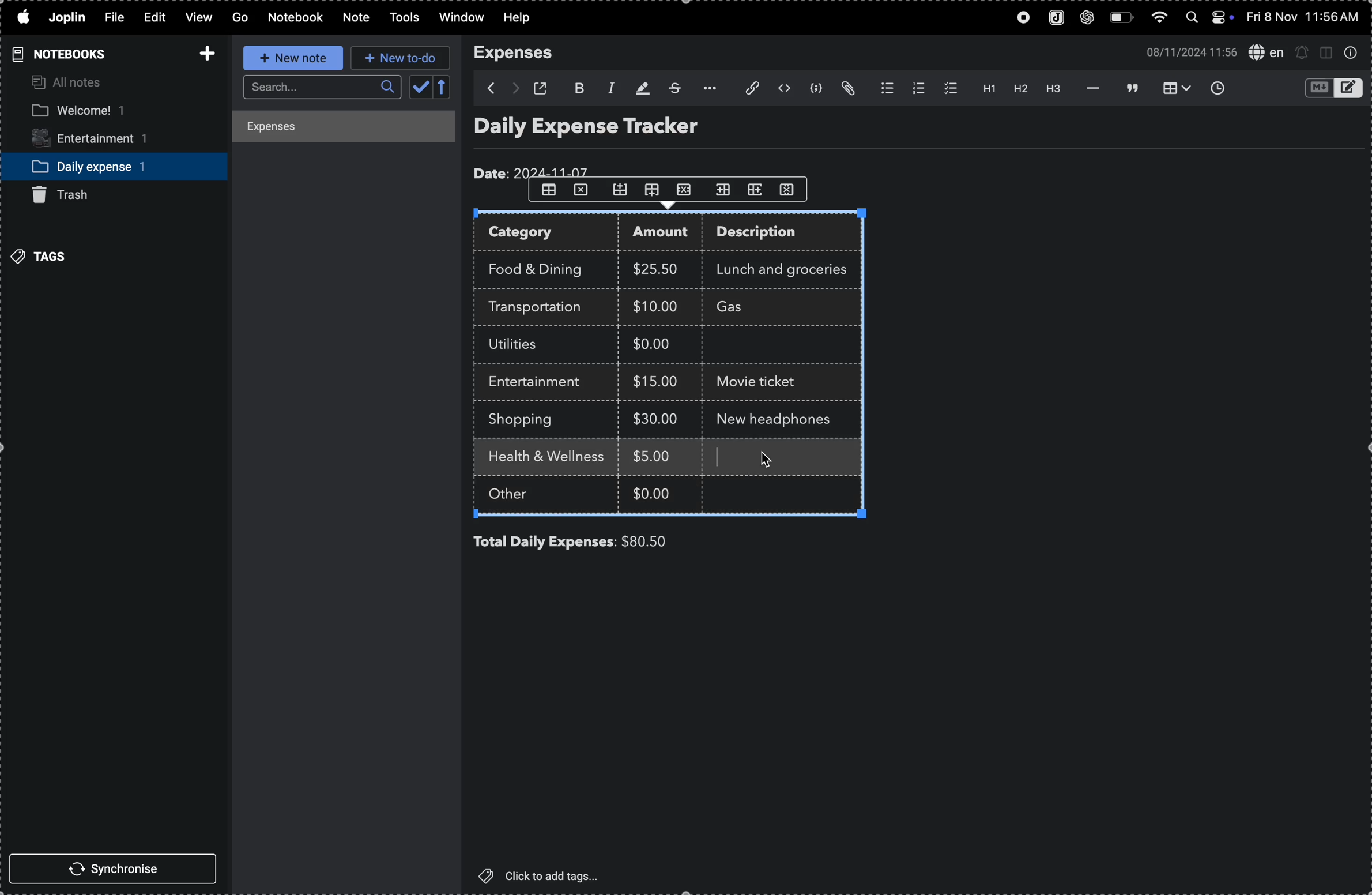 The height and width of the screenshot is (895, 1372). I want to click on spell check, so click(1265, 51).